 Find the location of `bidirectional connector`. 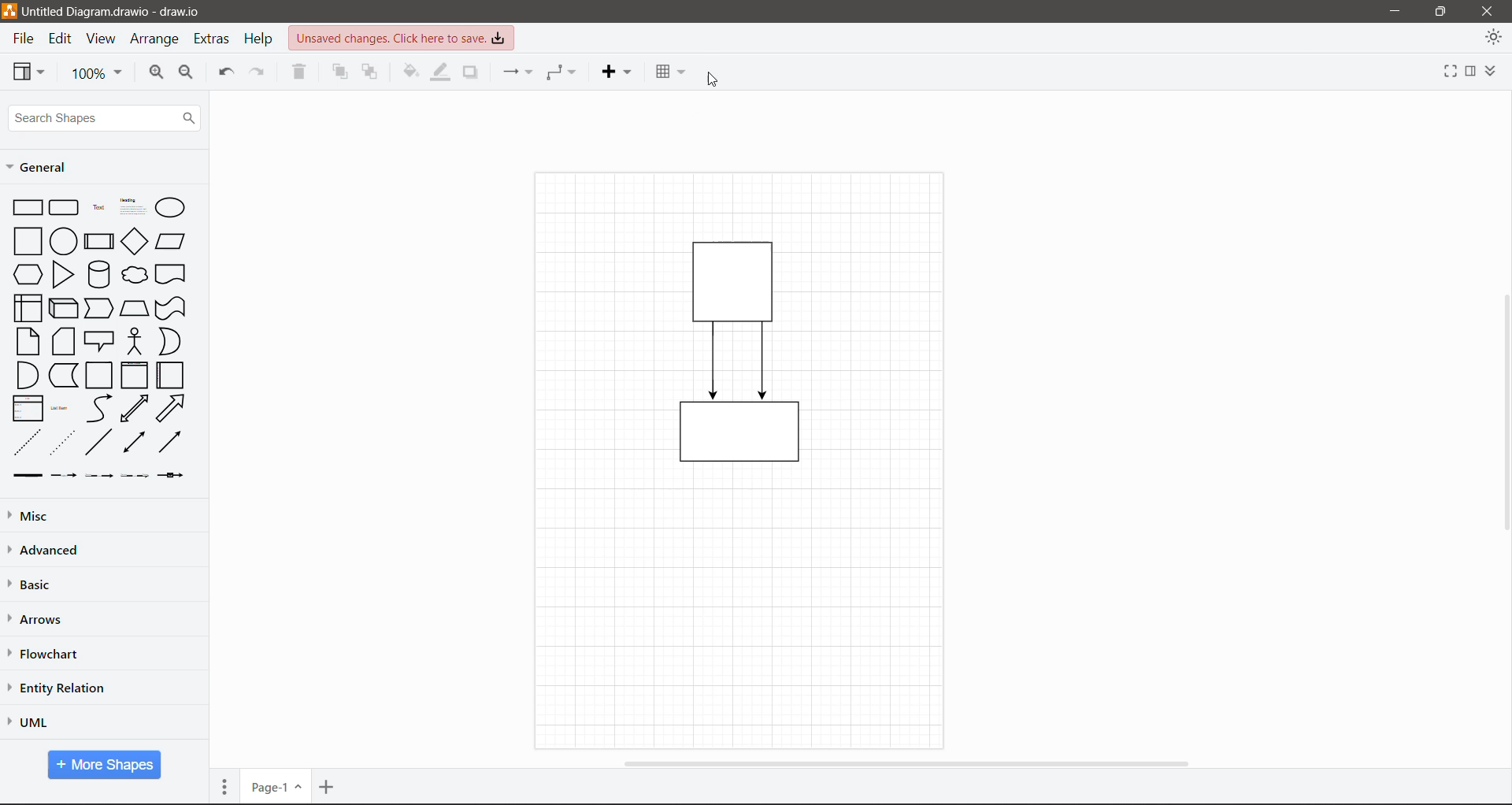

bidirectional connector is located at coordinates (132, 443).